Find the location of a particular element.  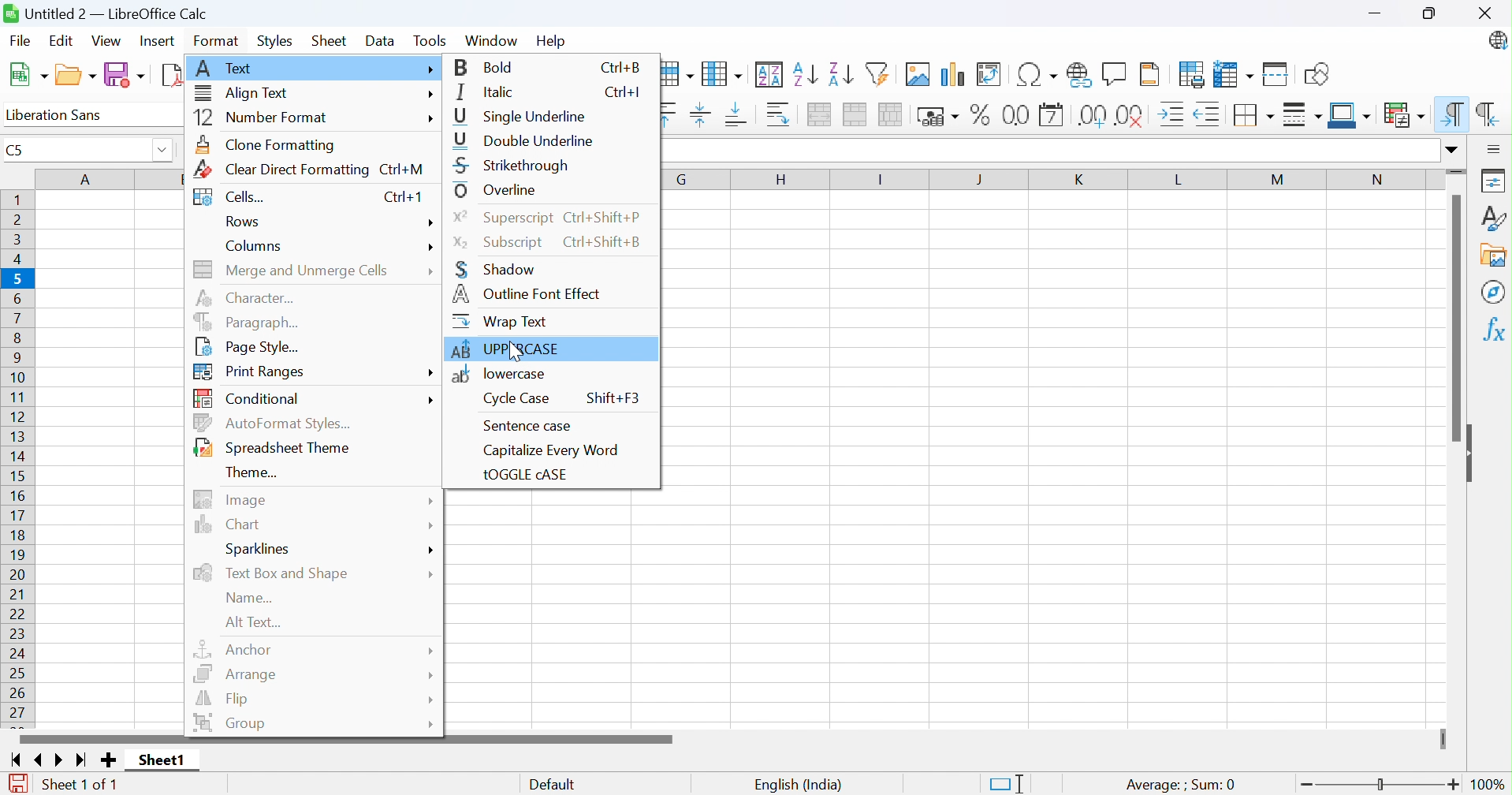

New is located at coordinates (79, 76).